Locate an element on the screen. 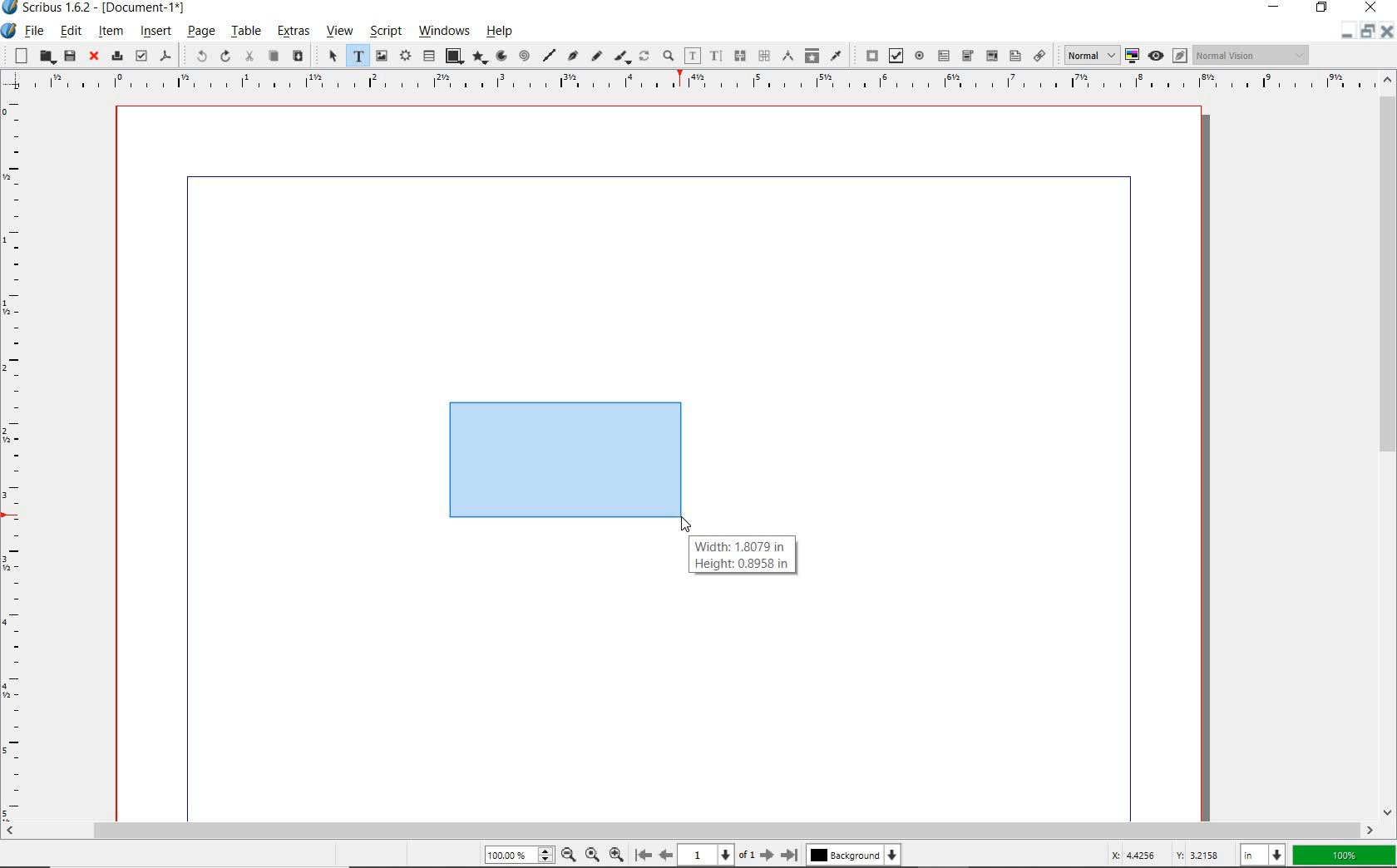  measurements is located at coordinates (786, 55).